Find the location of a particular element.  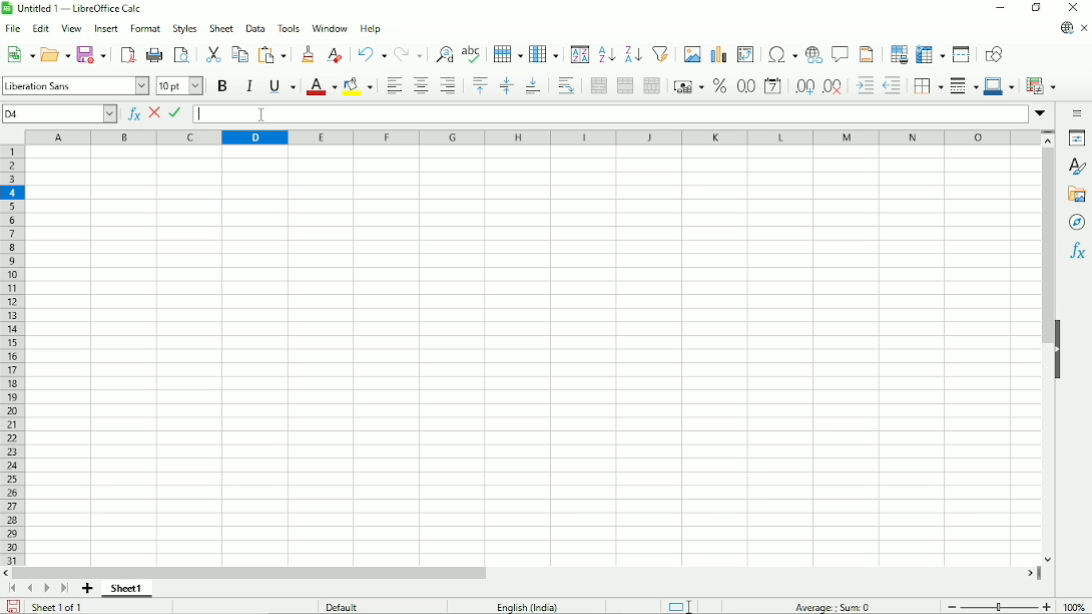

Data is located at coordinates (256, 28).